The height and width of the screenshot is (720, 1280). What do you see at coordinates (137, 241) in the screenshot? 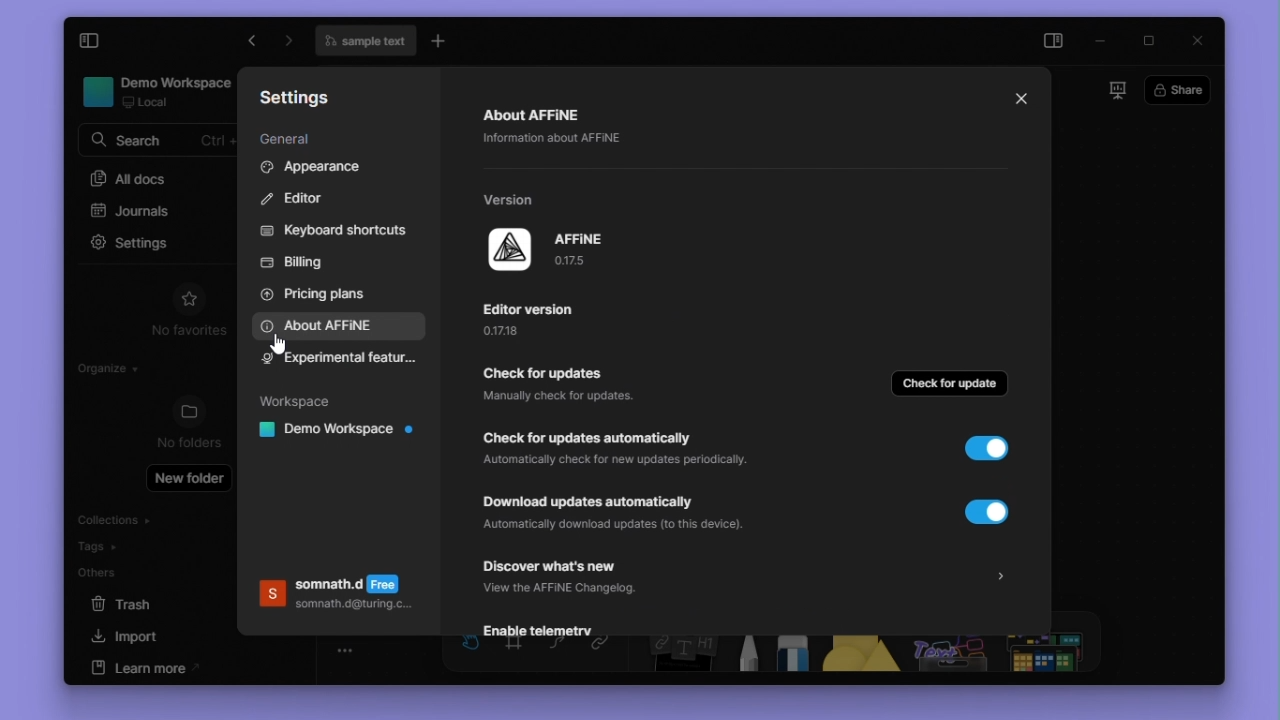
I see `settings` at bounding box center [137, 241].